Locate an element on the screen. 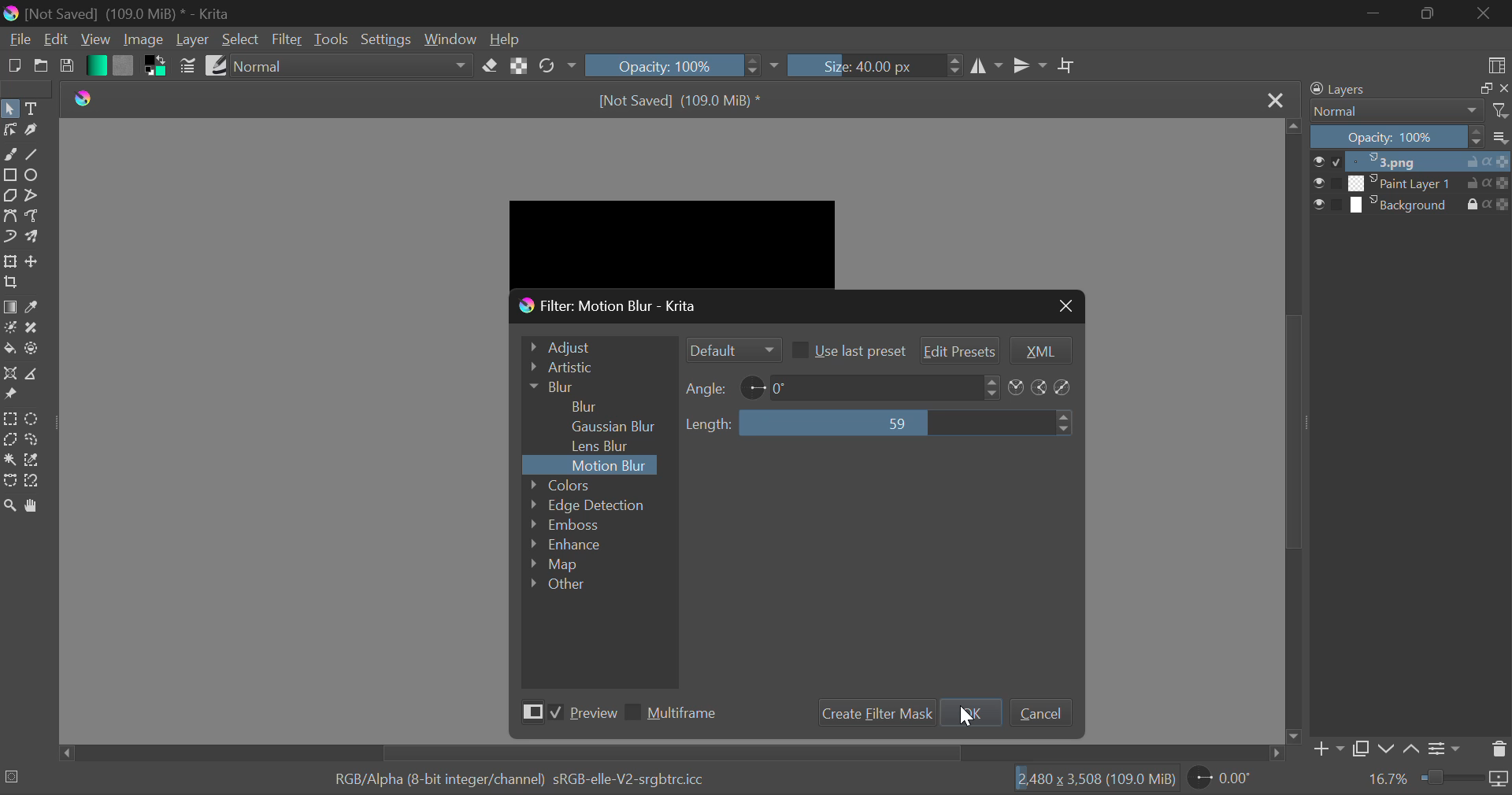 The image size is (1512, 795). Horizontal Mirror Flip is located at coordinates (1029, 65).